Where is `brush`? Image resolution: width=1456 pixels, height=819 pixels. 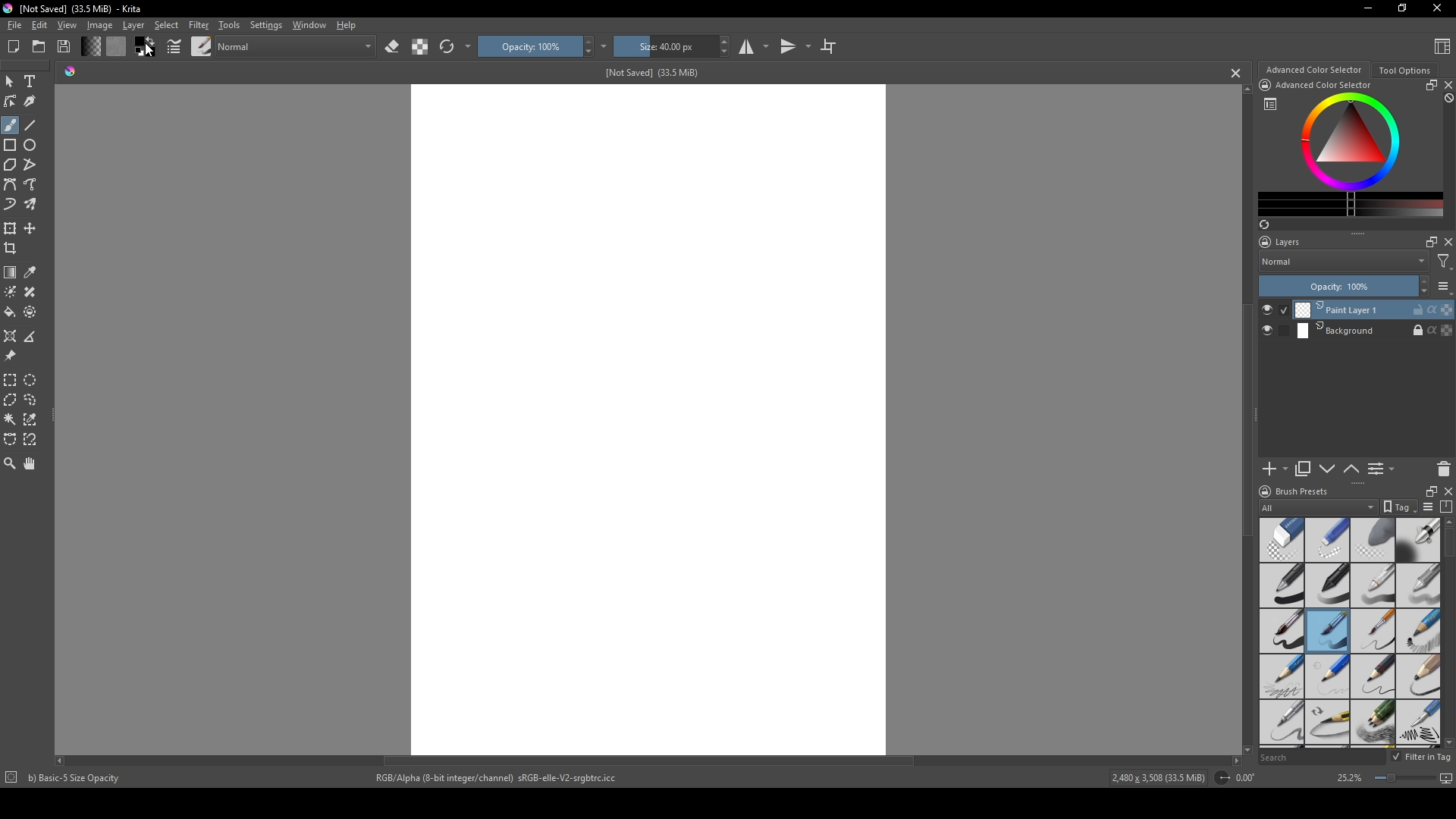
brush is located at coordinates (10, 125).